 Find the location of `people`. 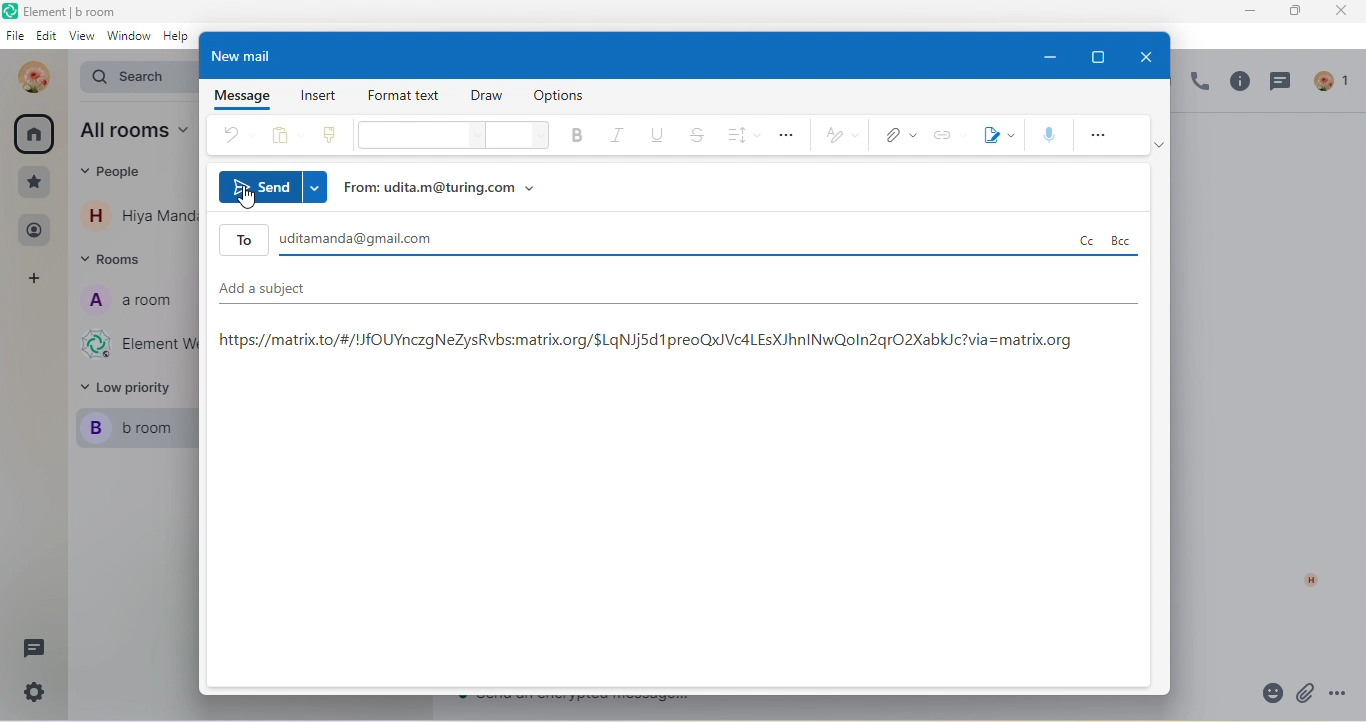

people is located at coordinates (1335, 79).